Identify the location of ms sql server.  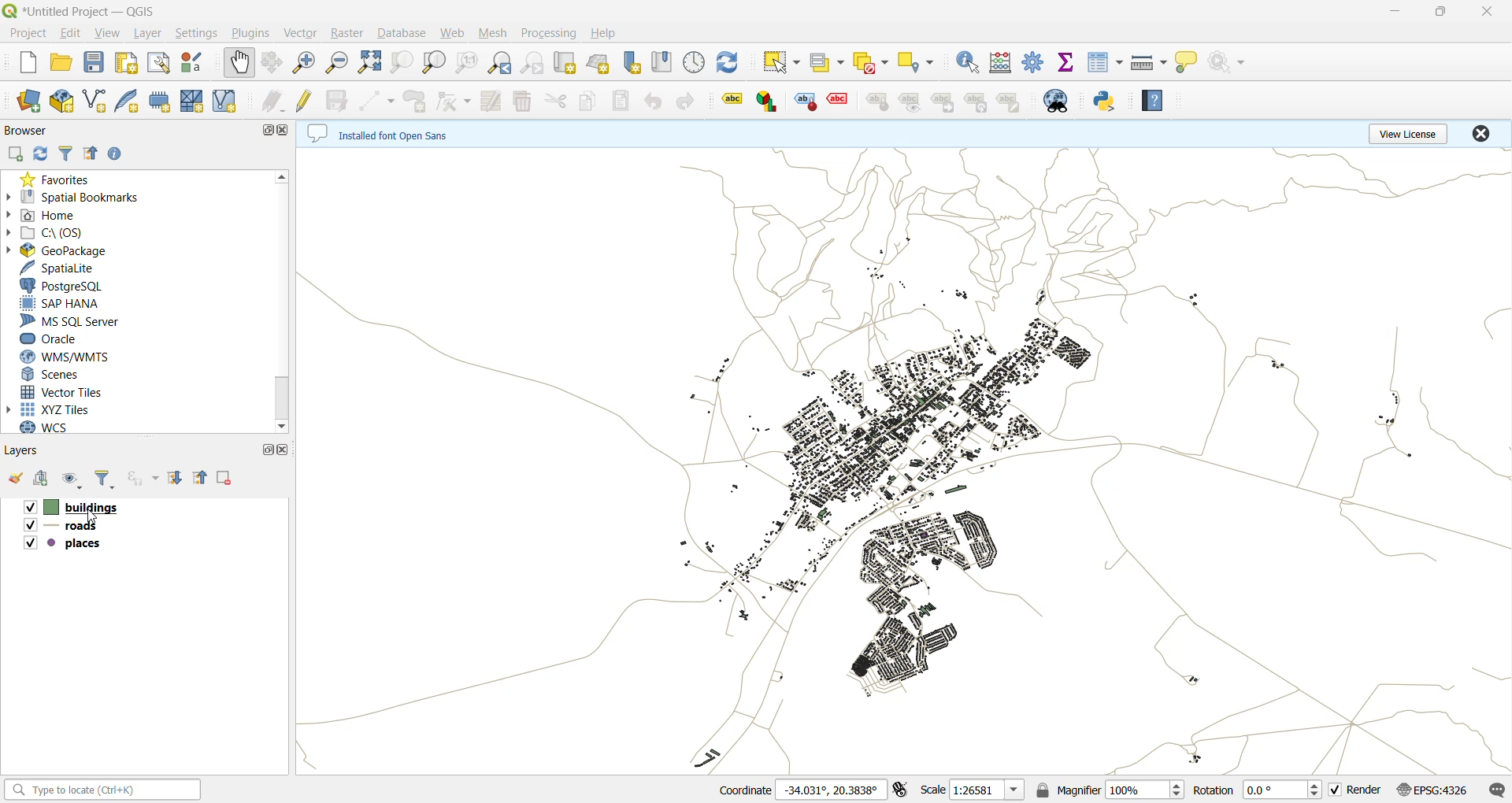
(69, 319).